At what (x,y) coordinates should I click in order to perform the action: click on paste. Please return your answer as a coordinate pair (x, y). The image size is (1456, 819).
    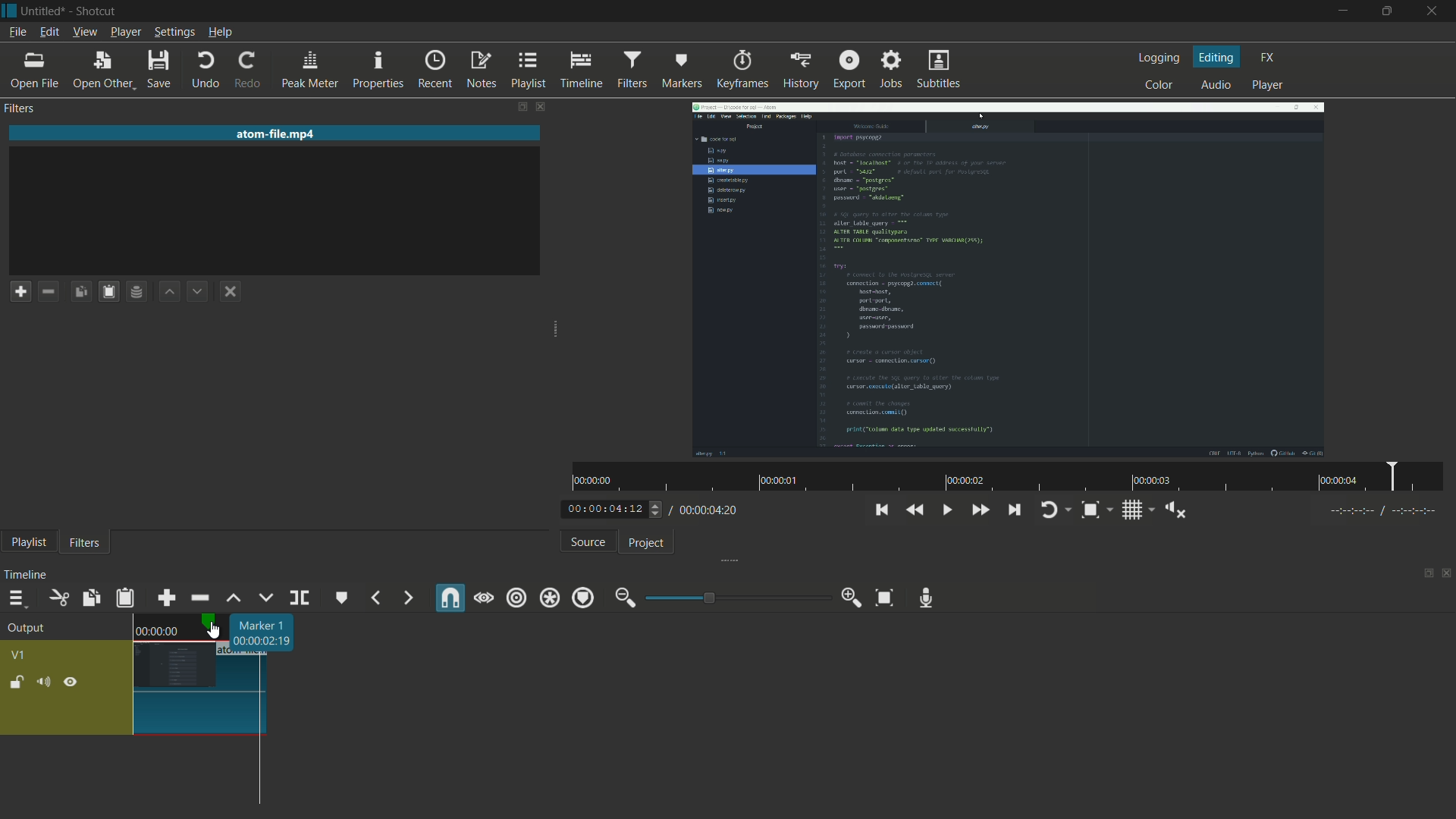
    Looking at the image, I should click on (108, 293).